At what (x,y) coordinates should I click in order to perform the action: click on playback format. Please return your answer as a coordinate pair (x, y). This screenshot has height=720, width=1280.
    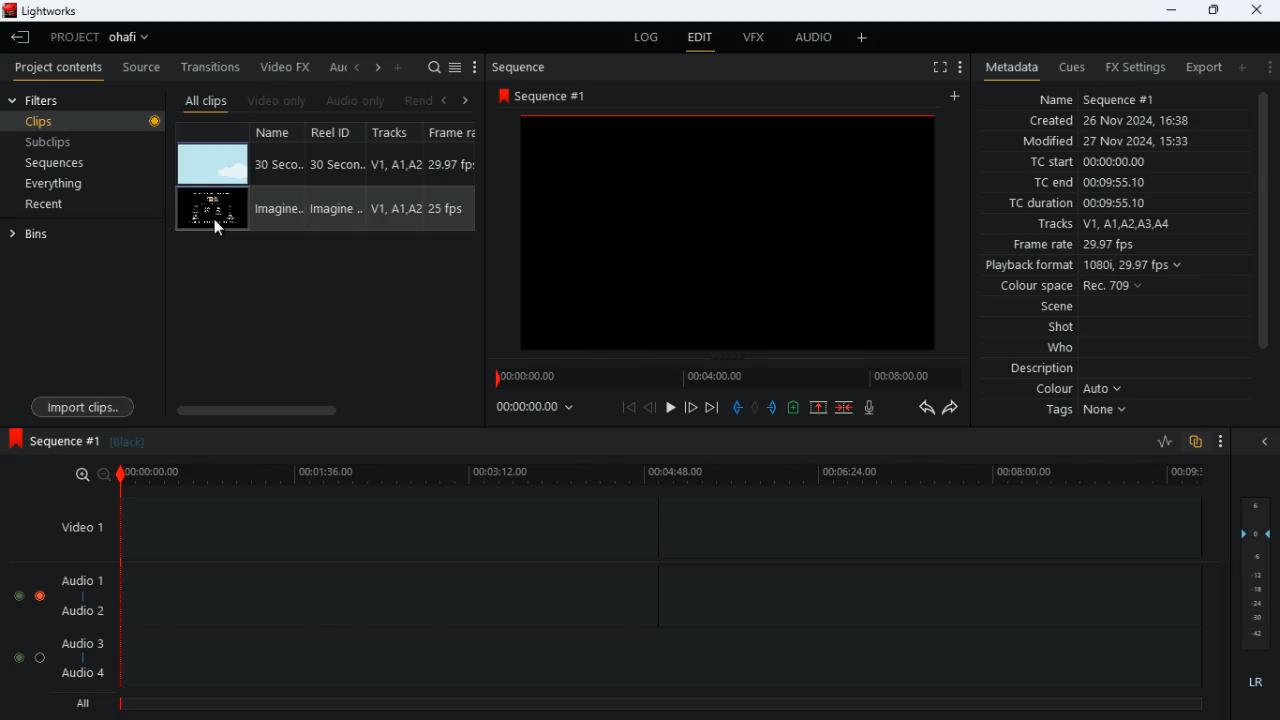
    Looking at the image, I should click on (1086, 265).